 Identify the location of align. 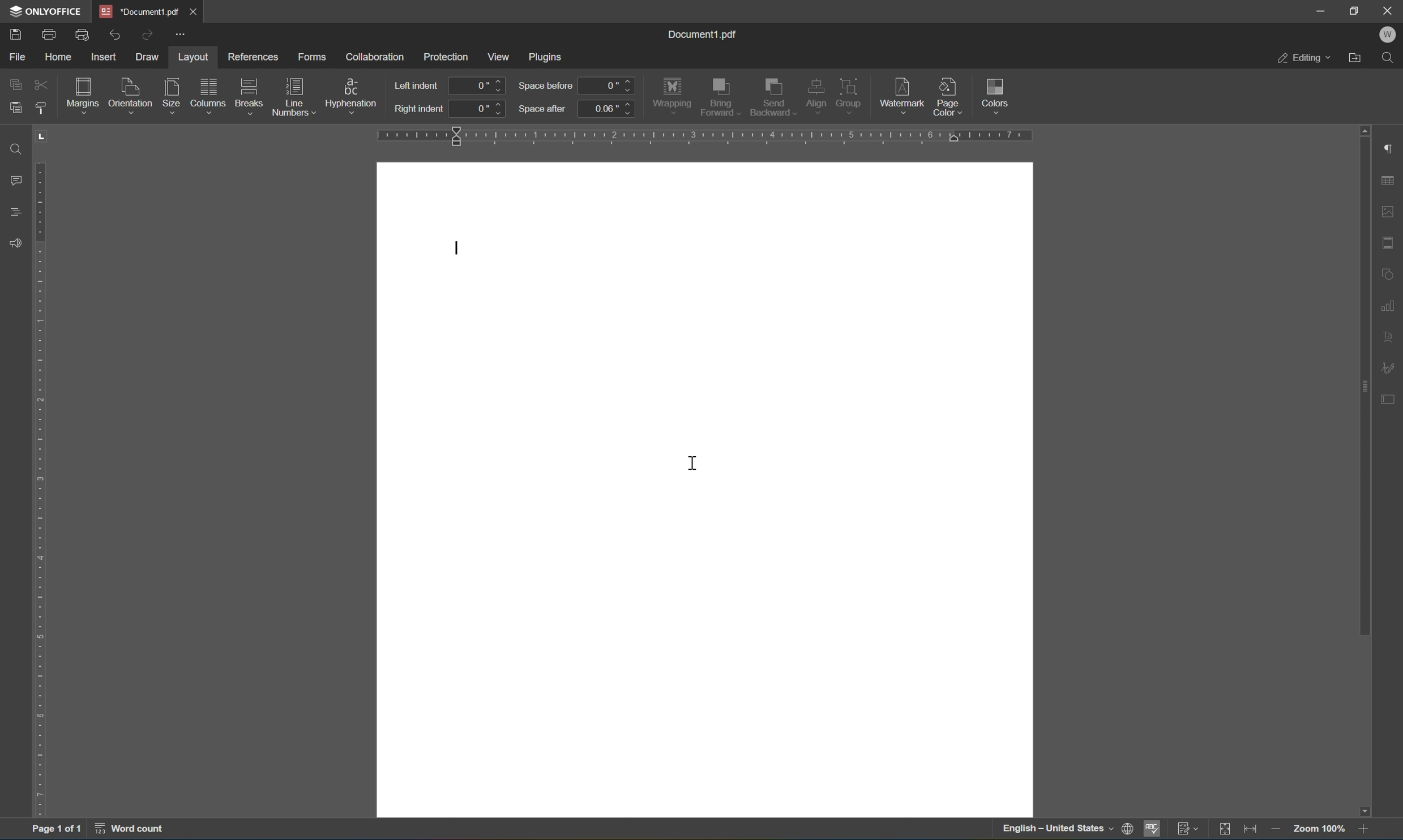
(816, 96).